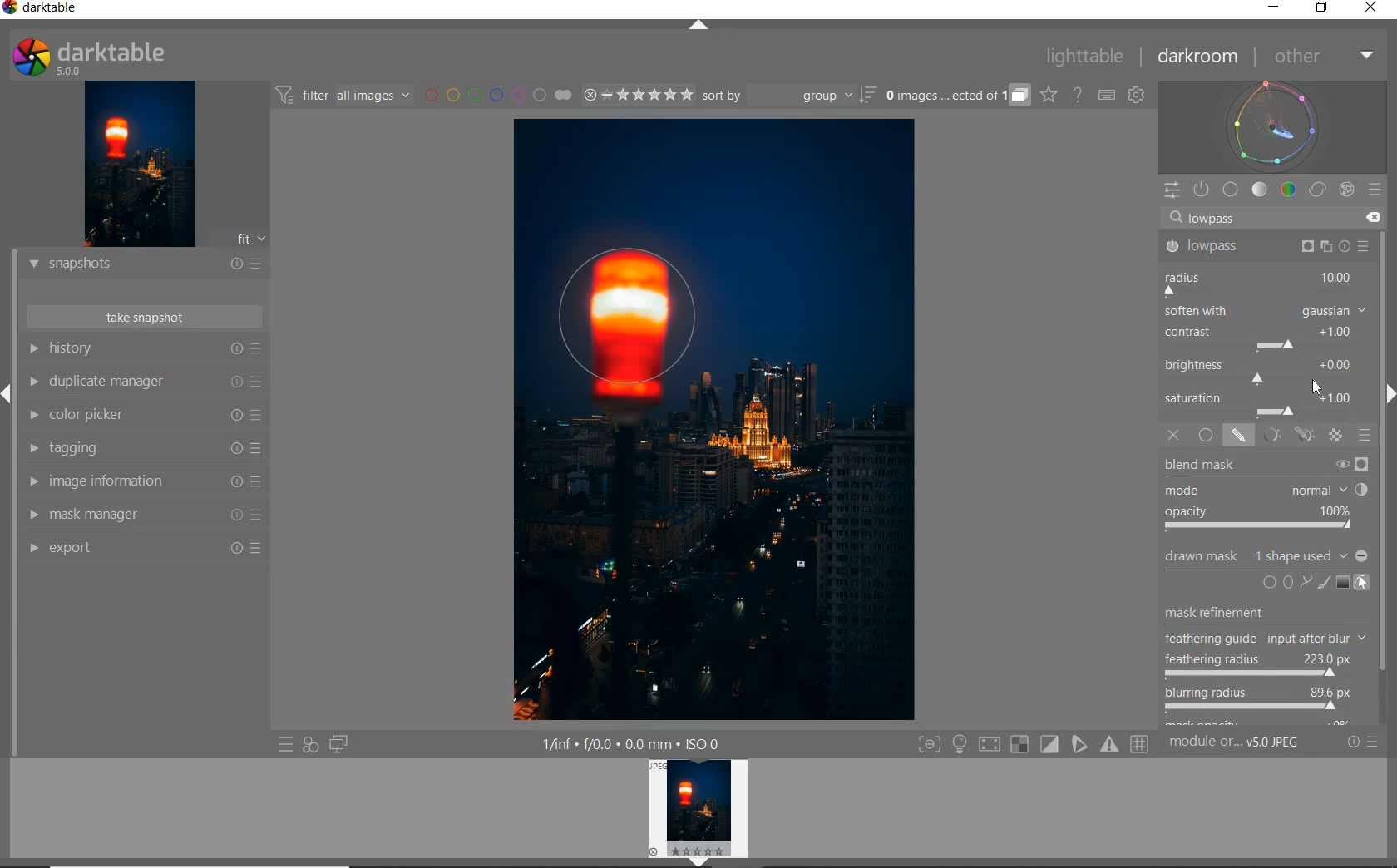 This screenshot has height=868, width=1397. I want to click on EFFECT, so click(1346, 189).